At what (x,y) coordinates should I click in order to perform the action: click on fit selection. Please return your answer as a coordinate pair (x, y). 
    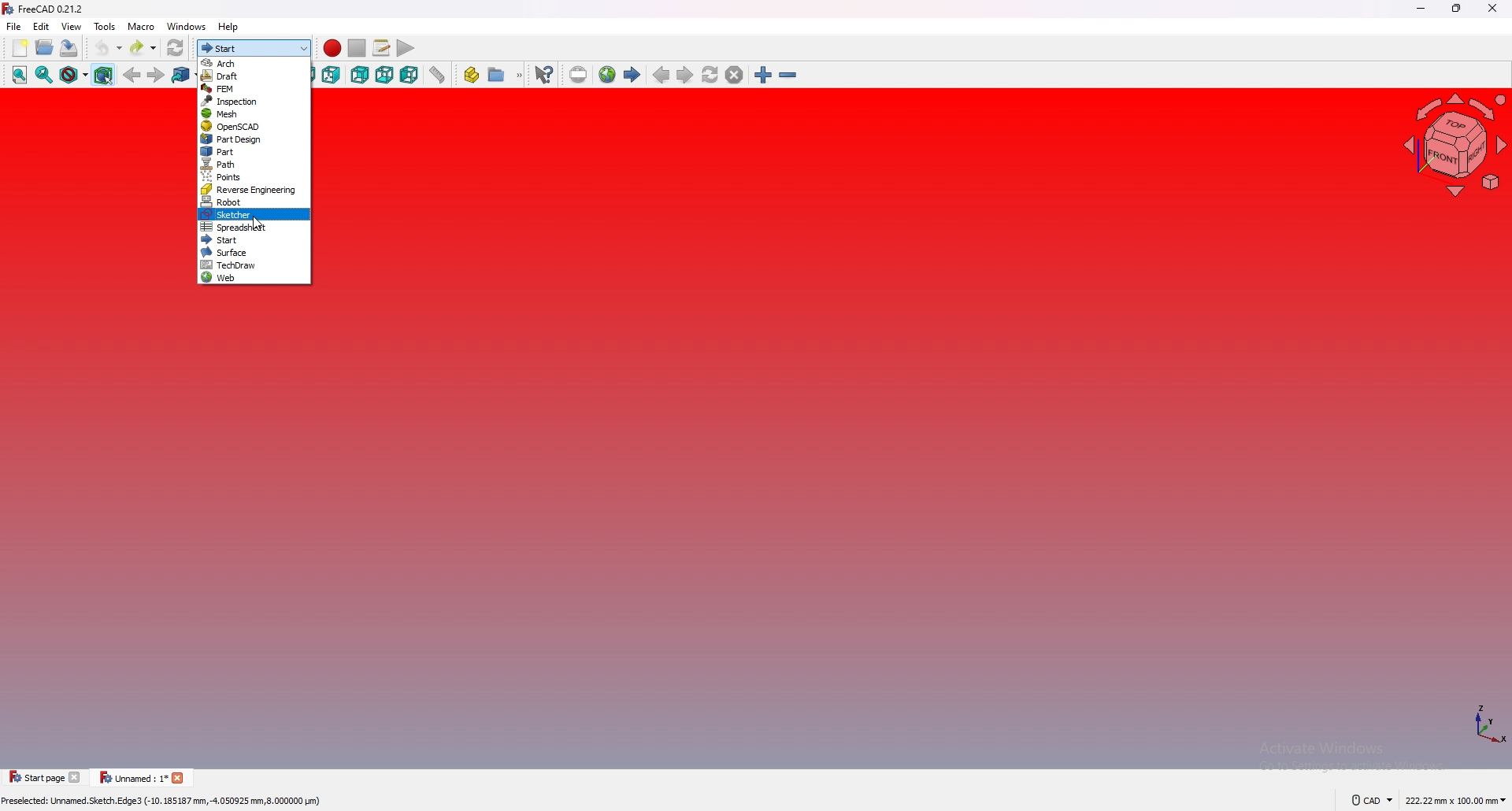
    Looking at the image, I should click on (44, 75).